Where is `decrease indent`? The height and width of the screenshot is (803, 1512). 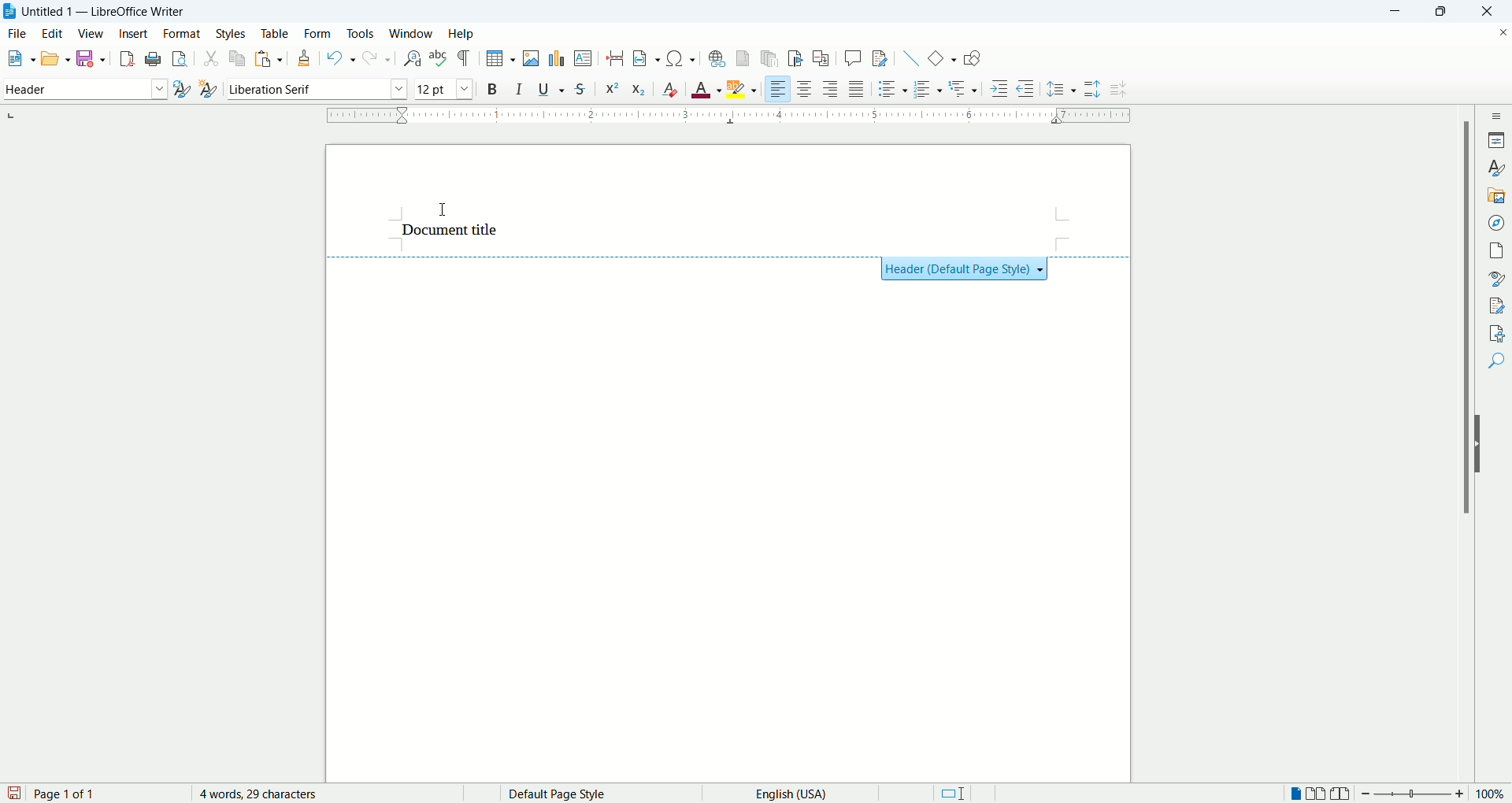
decrease indent is located at coordinates (1025, 89).